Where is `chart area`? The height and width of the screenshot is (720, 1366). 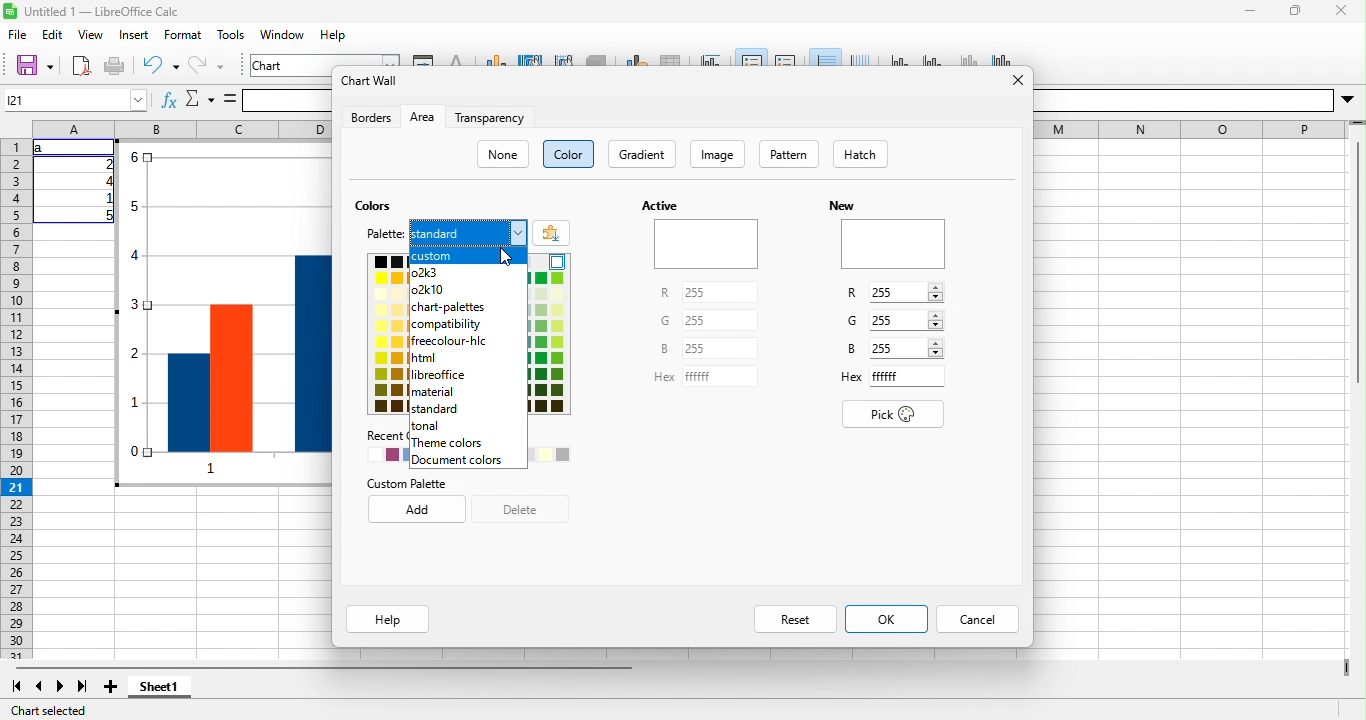
chart area is located at coordinates (325, 60).